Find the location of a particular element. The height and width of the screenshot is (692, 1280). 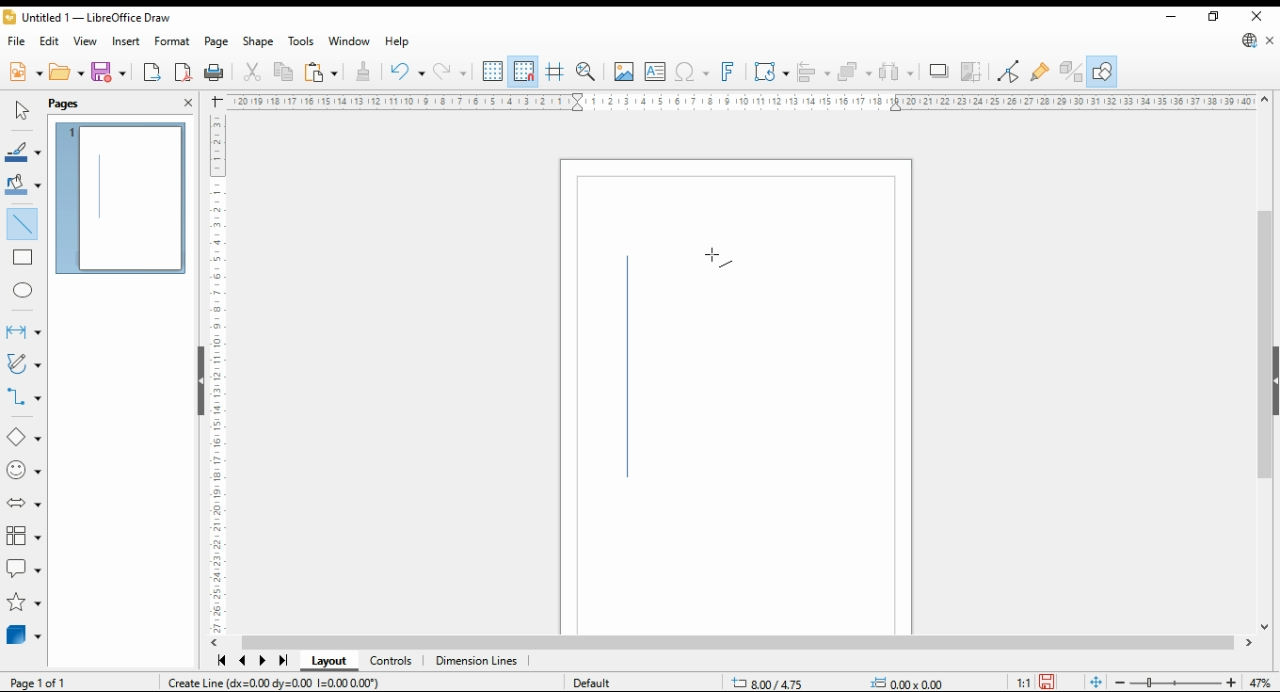

create vertical line is located at coordinates (314, 683).